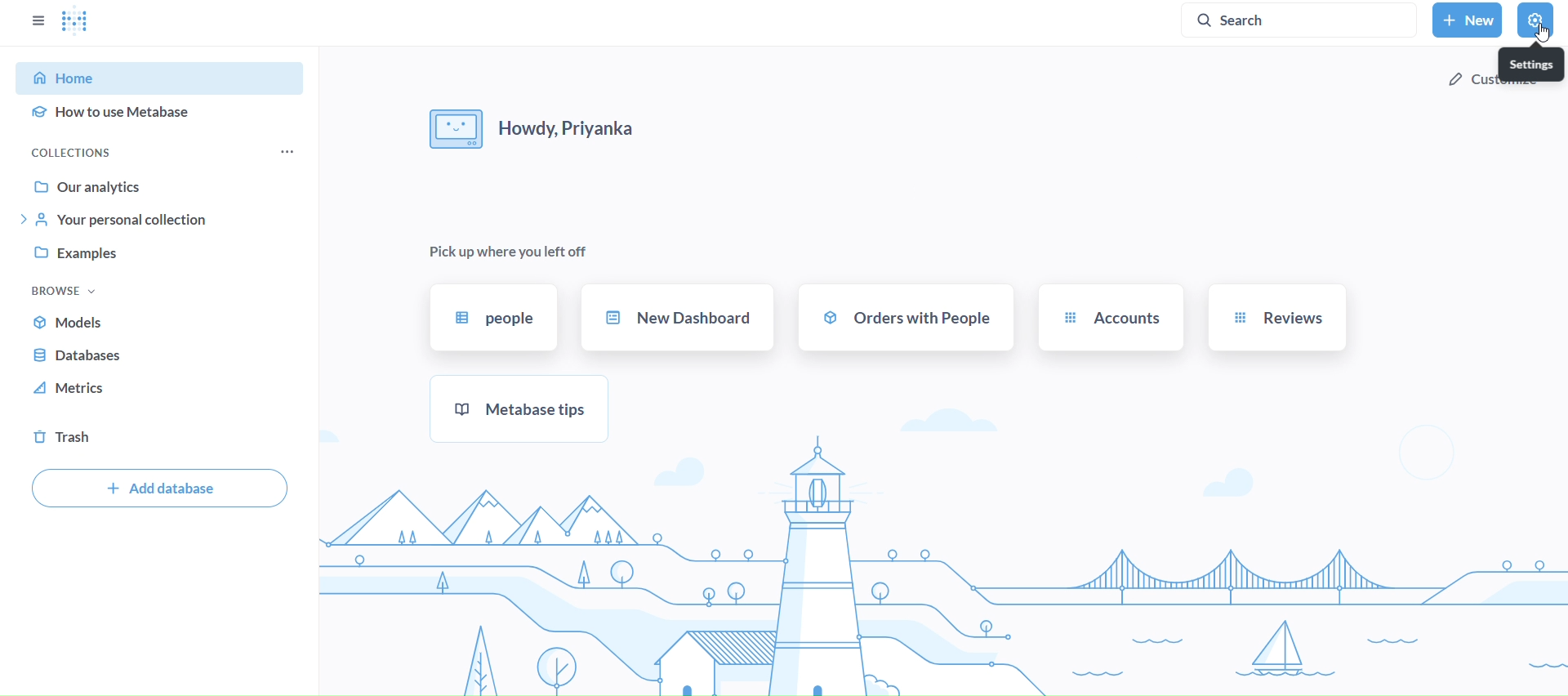  Describe the element at coordinates (163, 358) in the screenshot. I see `database` at that location.